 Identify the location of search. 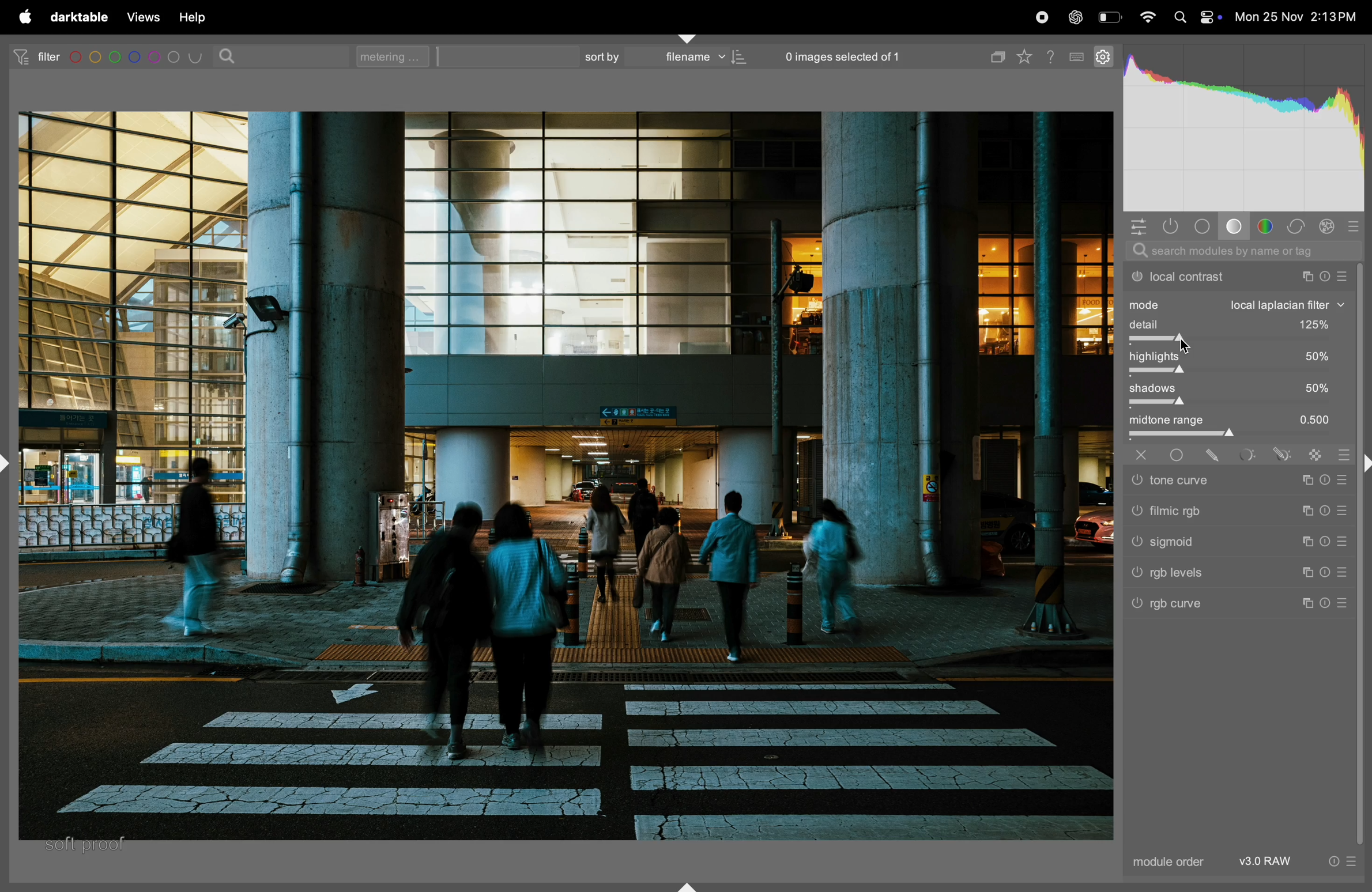
(1237, 253).